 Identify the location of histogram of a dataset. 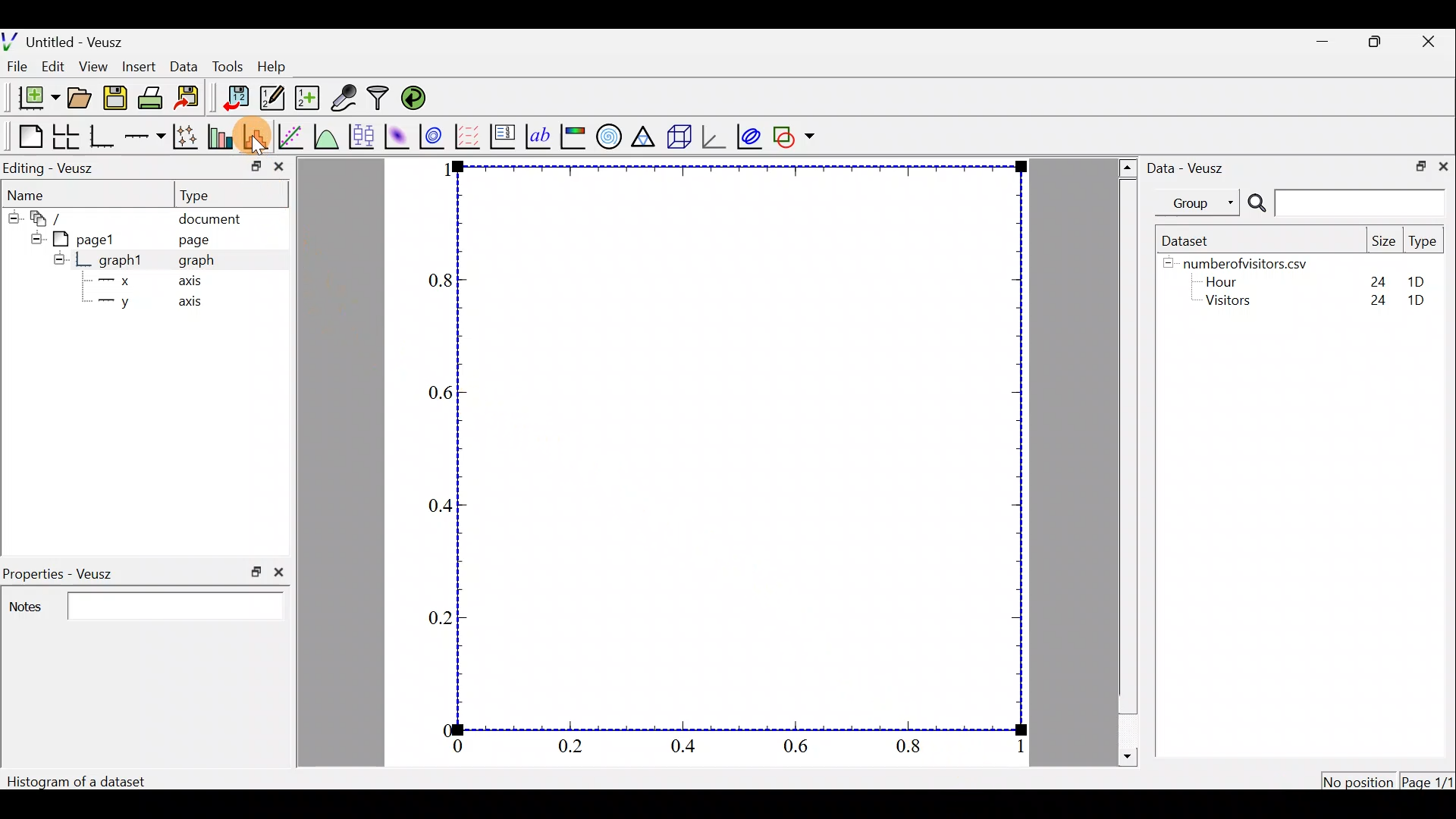
(256, 133).